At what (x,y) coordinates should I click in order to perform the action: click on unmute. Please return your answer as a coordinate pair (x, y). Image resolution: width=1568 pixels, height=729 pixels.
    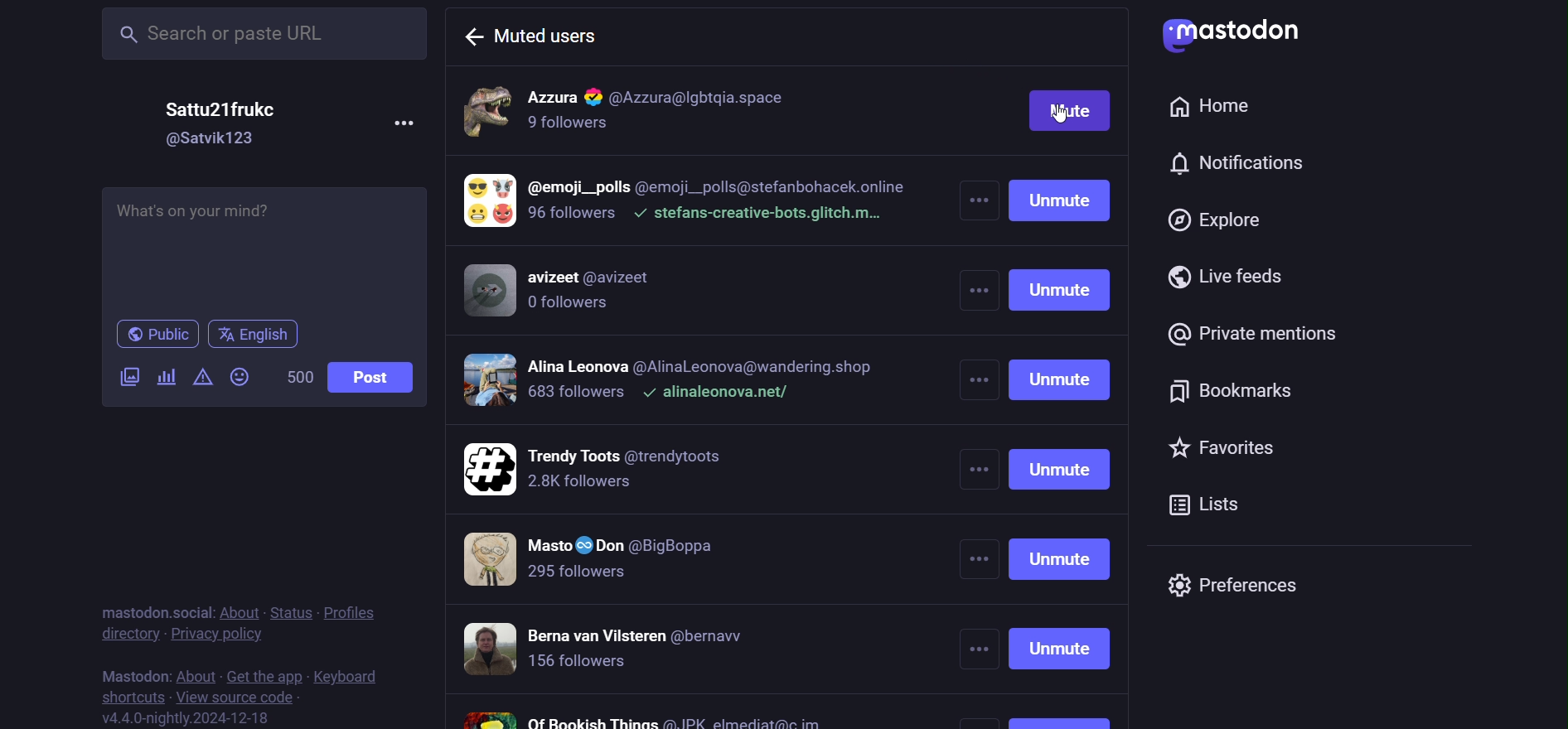
    Looking at the image, I should click on (1062, 450).